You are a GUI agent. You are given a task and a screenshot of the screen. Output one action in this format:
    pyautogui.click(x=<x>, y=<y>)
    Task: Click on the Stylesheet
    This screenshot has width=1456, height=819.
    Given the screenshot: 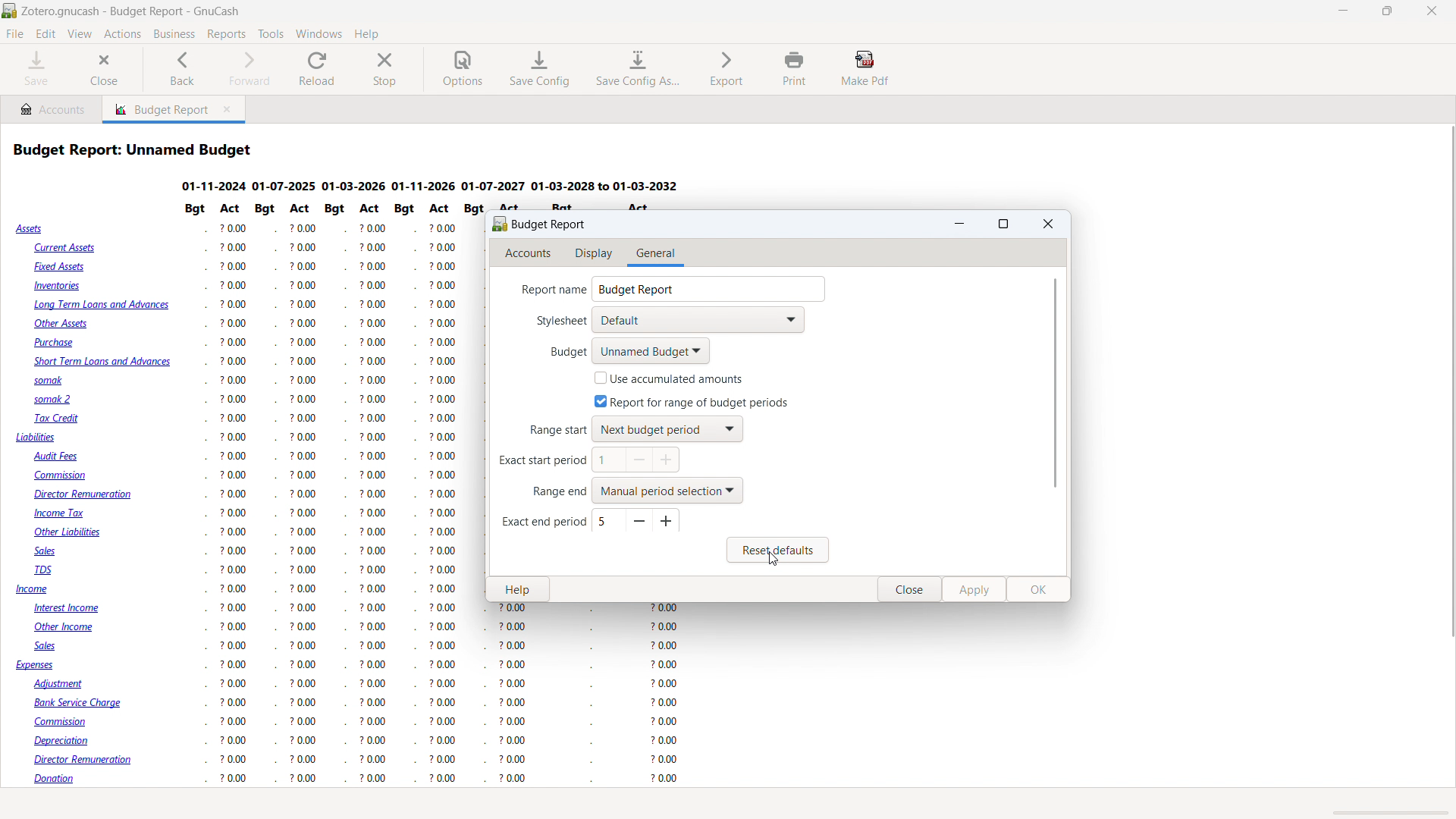 What is the action you would take?
    pyautogui.click(x=550, y=322)
    